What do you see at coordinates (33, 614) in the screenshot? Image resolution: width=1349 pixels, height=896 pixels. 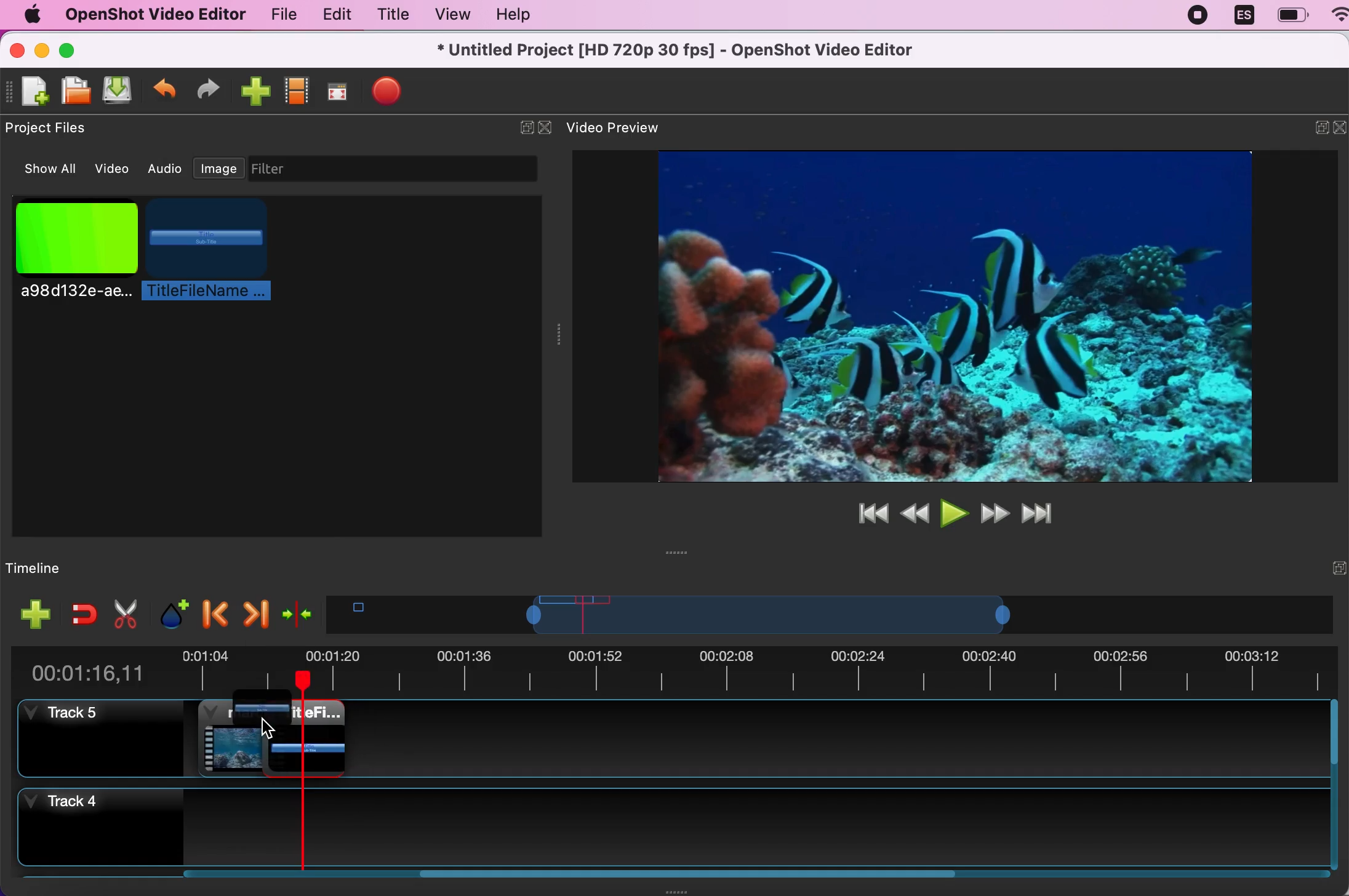 I see `add track` at bounding box center [33, 614].